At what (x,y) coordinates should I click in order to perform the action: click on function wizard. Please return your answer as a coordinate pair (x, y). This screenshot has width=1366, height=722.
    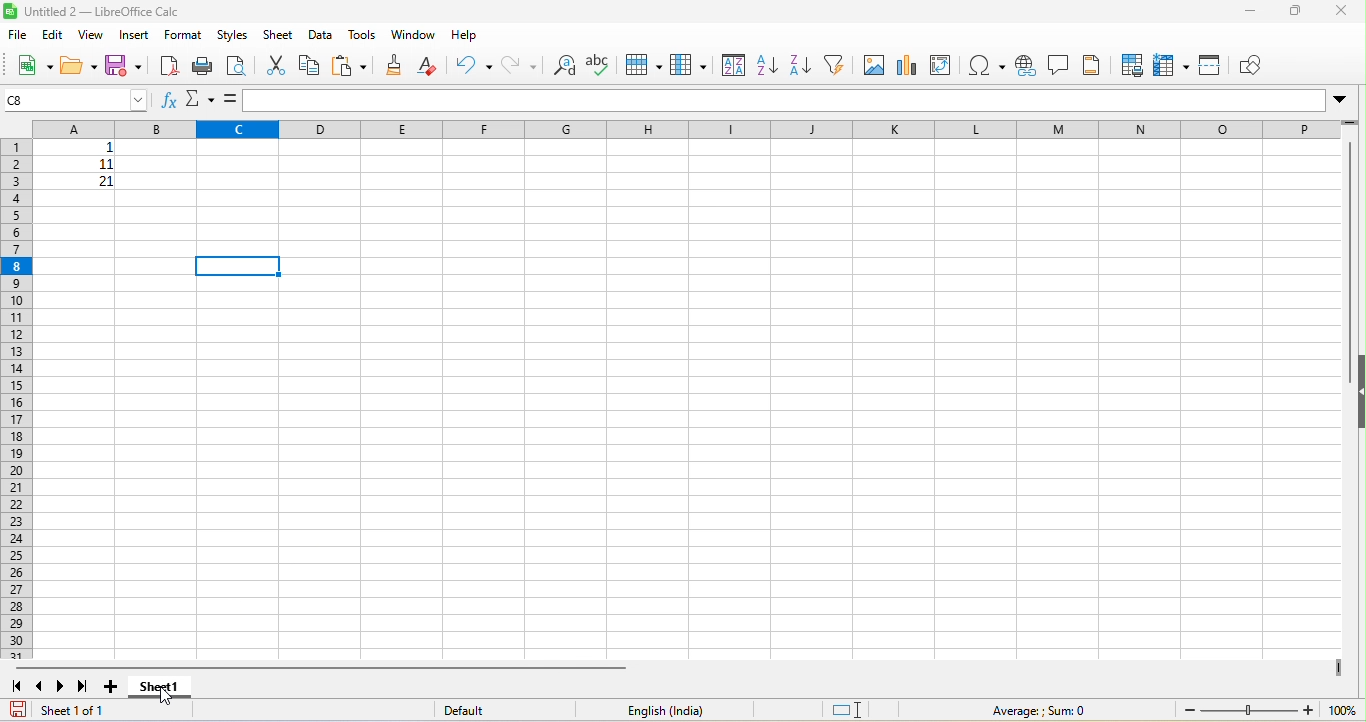
    Looking at the image, I should click on (169, 102).